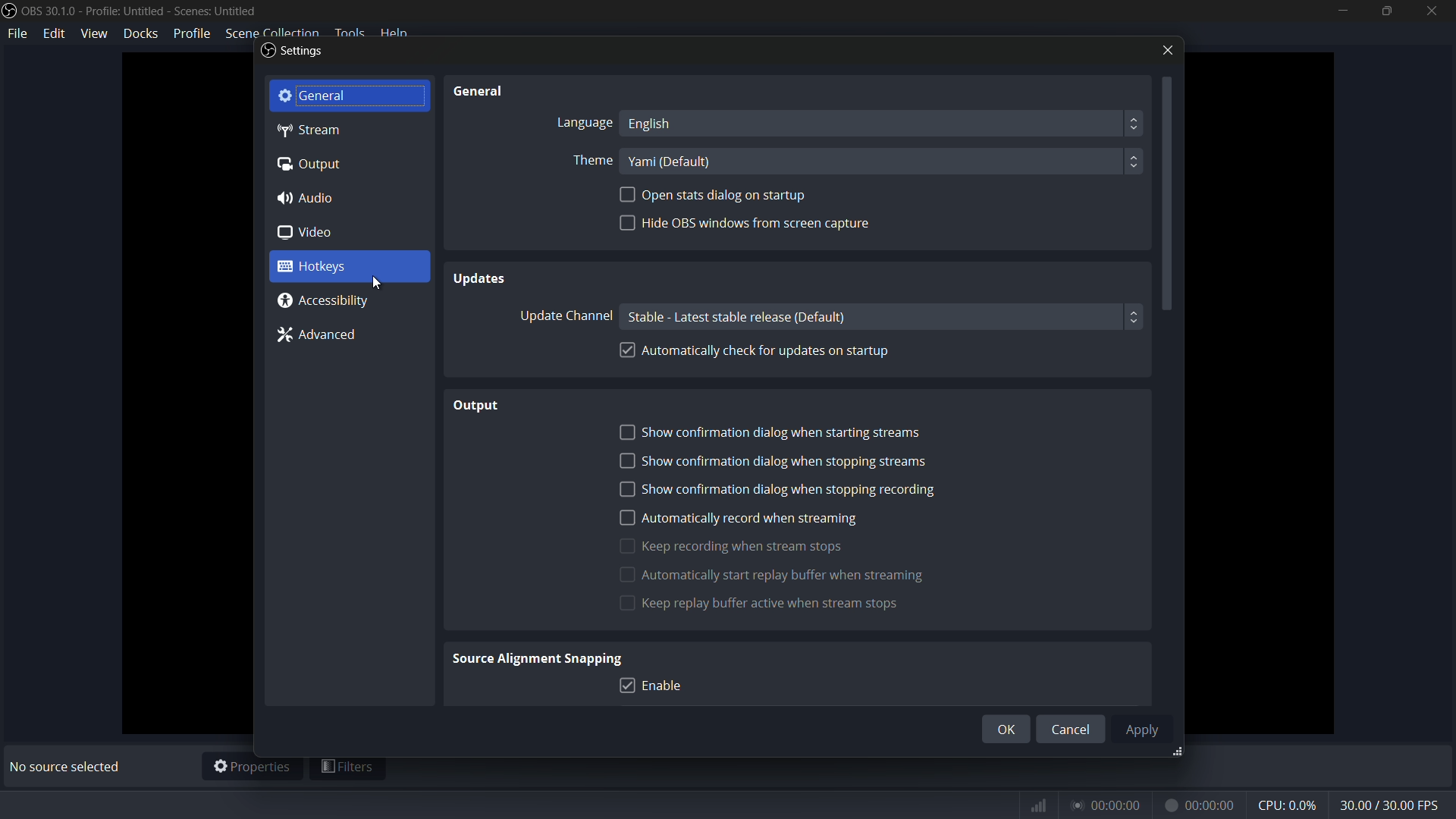 This screenshot has height=819, width=1456. I want to click on show confirmation dialog when stopping streams, so click(774, 462).